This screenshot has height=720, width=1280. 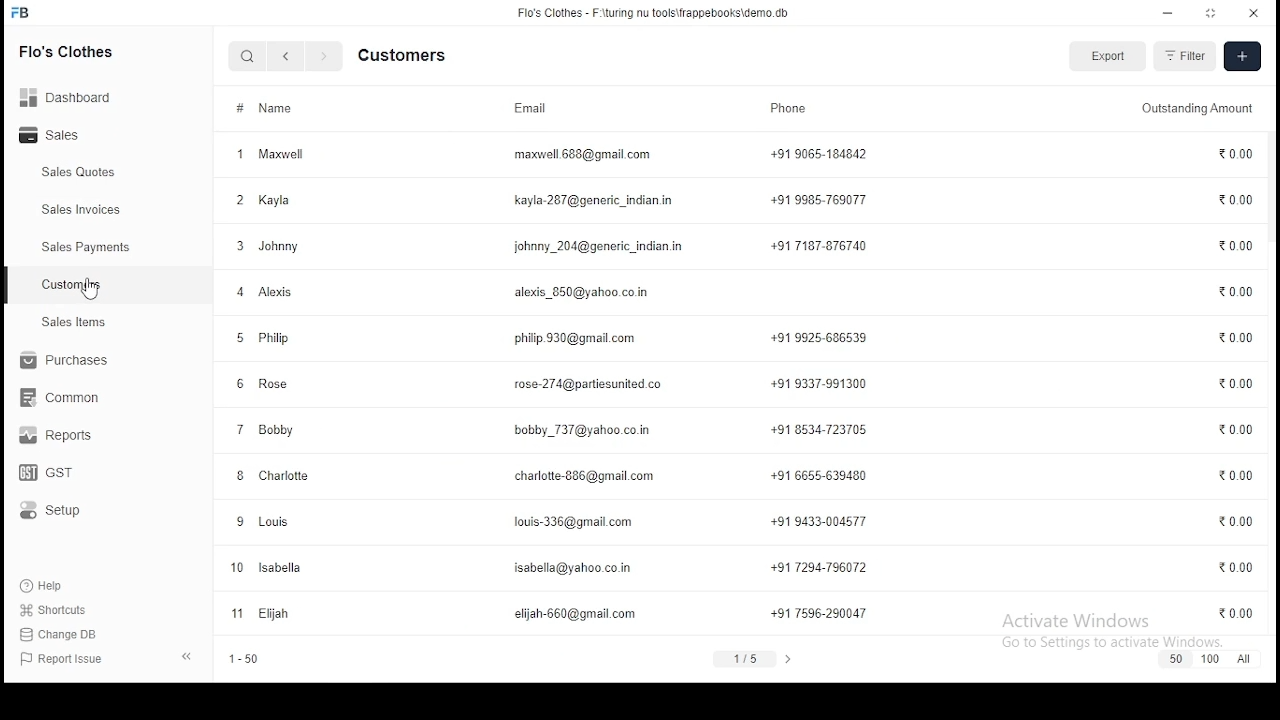 I want to click on 0.00, so click(x=1232, y=476).